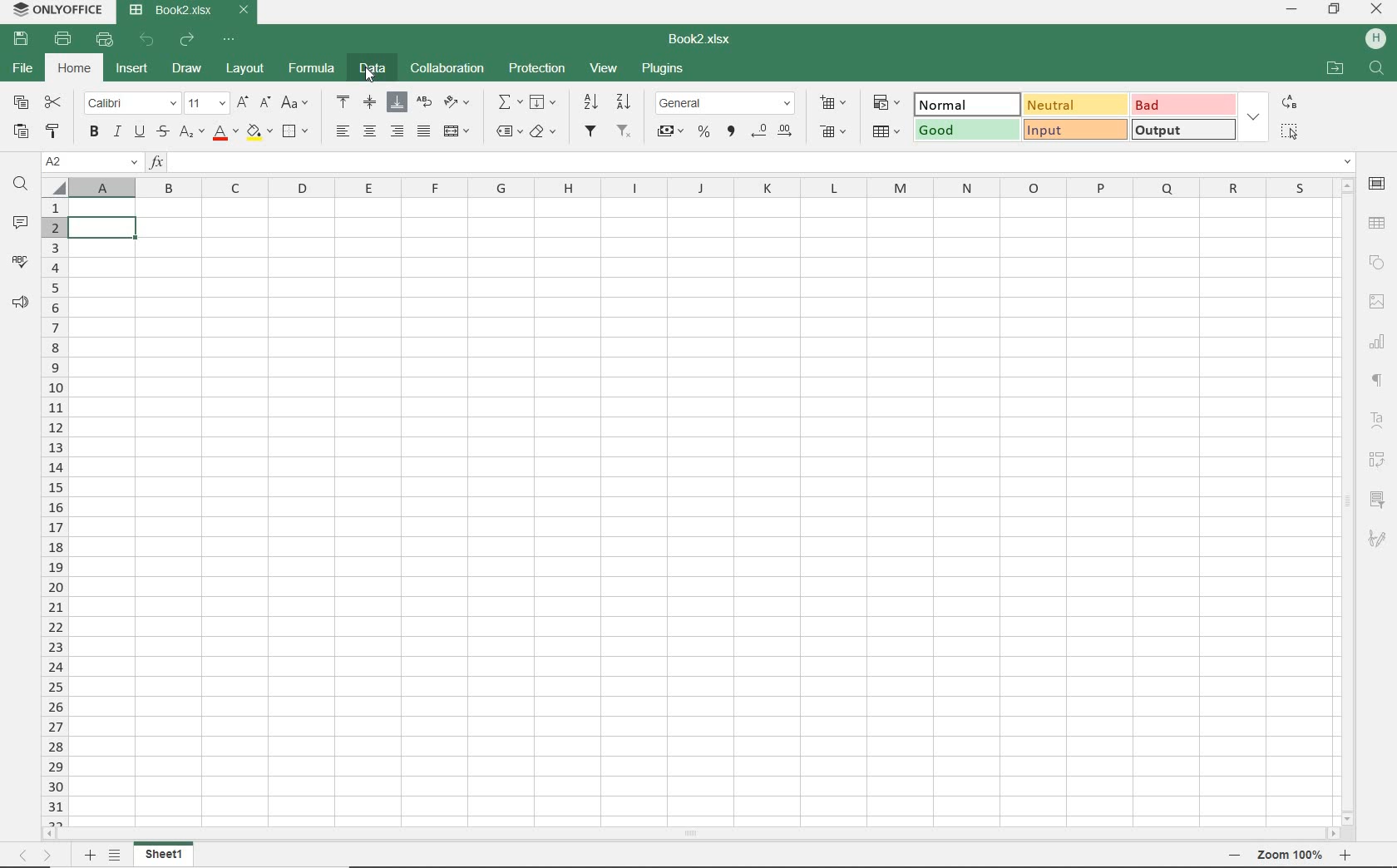  What do you see at coordinates (21, 261) in the screenshot?
I see `SPELL CHECKING` at bounding box center [21, 261].